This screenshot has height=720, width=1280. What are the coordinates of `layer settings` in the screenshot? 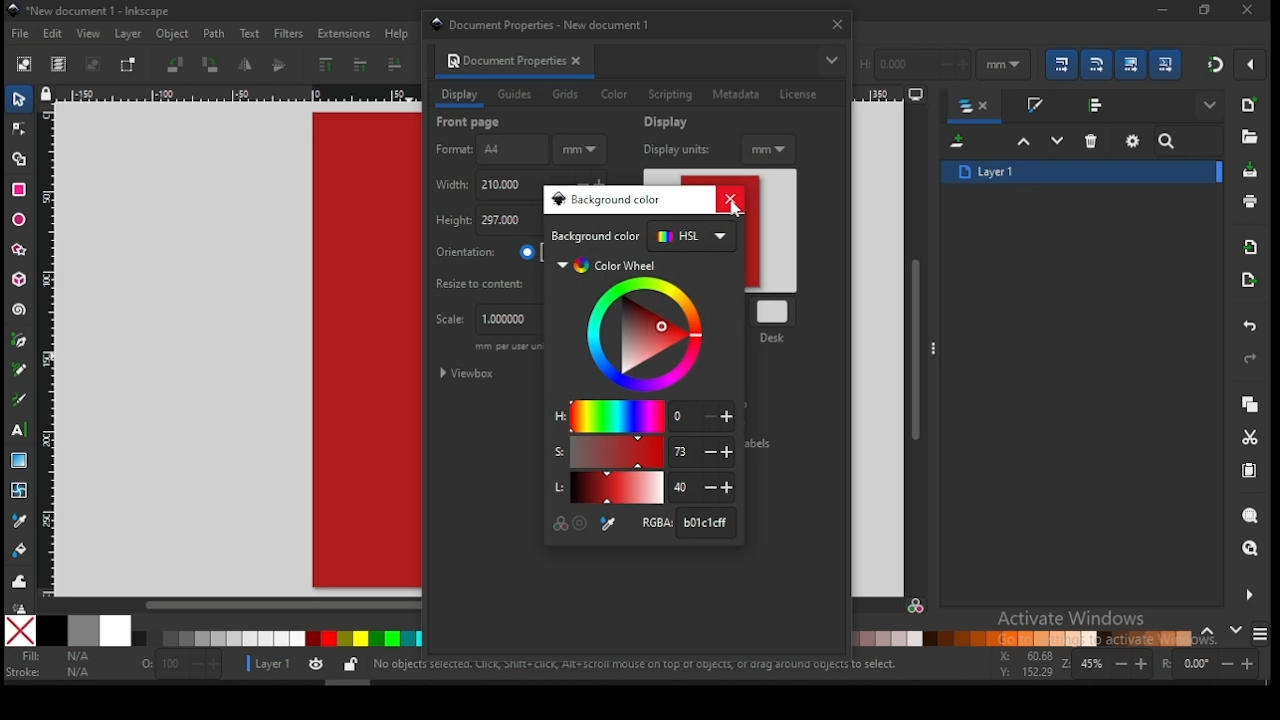 It's located at (304, 665).